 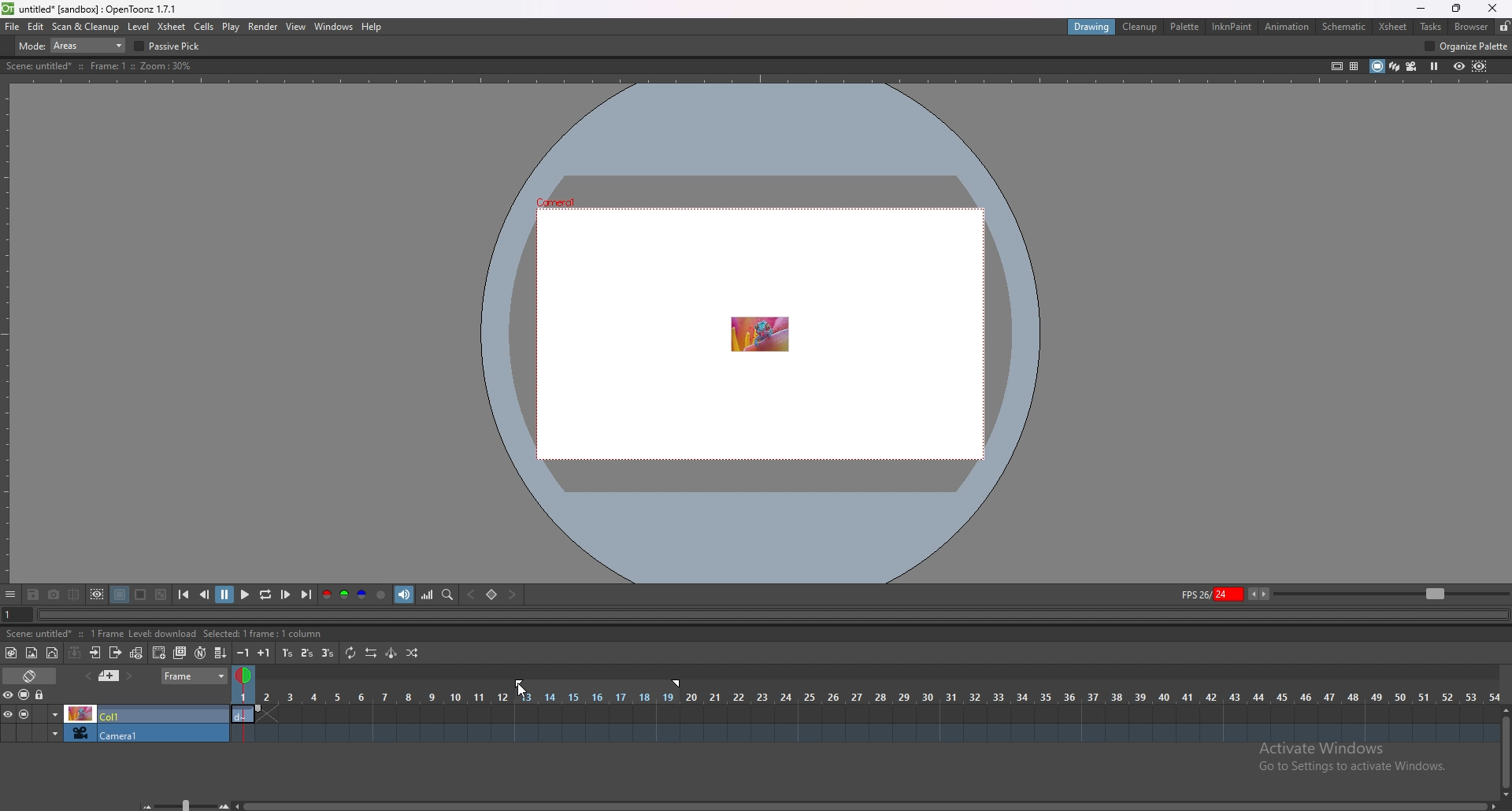 What do you see at coordinates (1473, 26) in the screenshot?
I see `browser` at bounding box center [1473, 26].